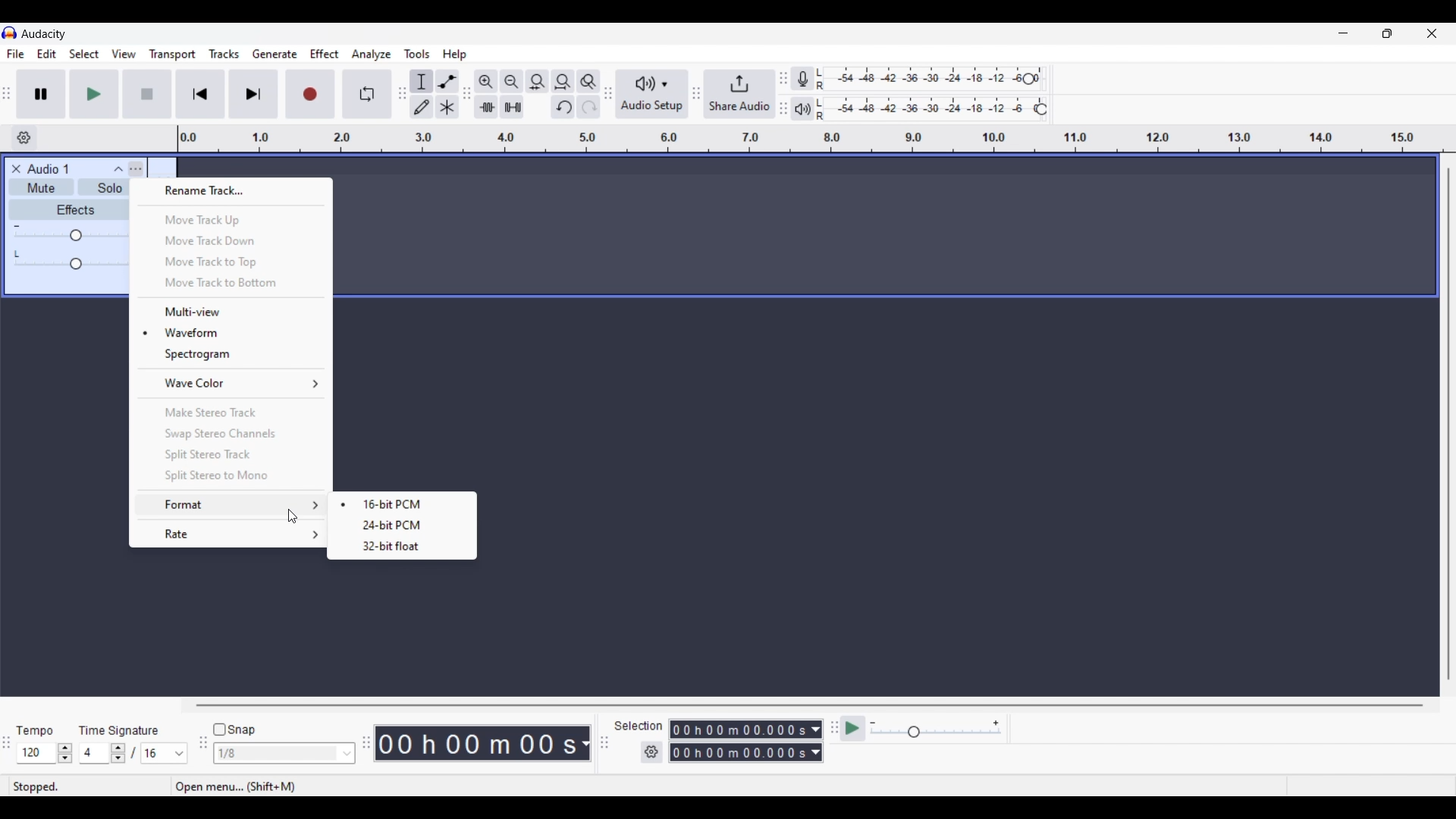  Describe the element at coordinates (422, 81) in the screenshot. I see `Selection tool` at that location.